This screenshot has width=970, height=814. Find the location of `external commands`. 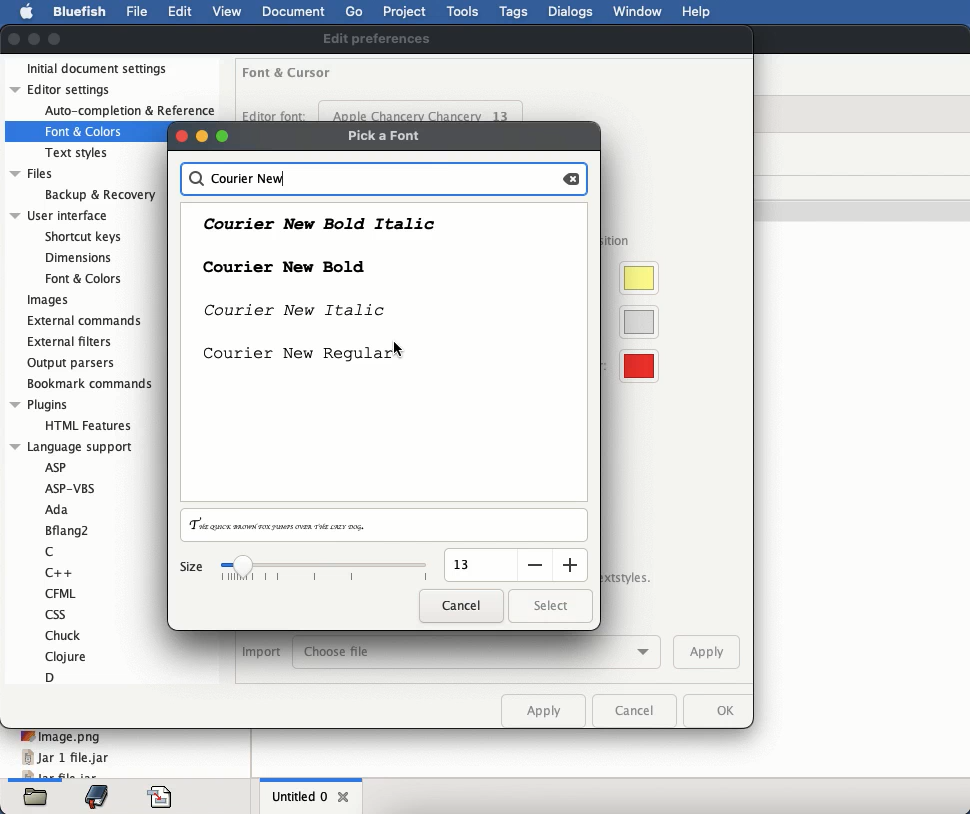

external commands is located at coordinates (84, 321).